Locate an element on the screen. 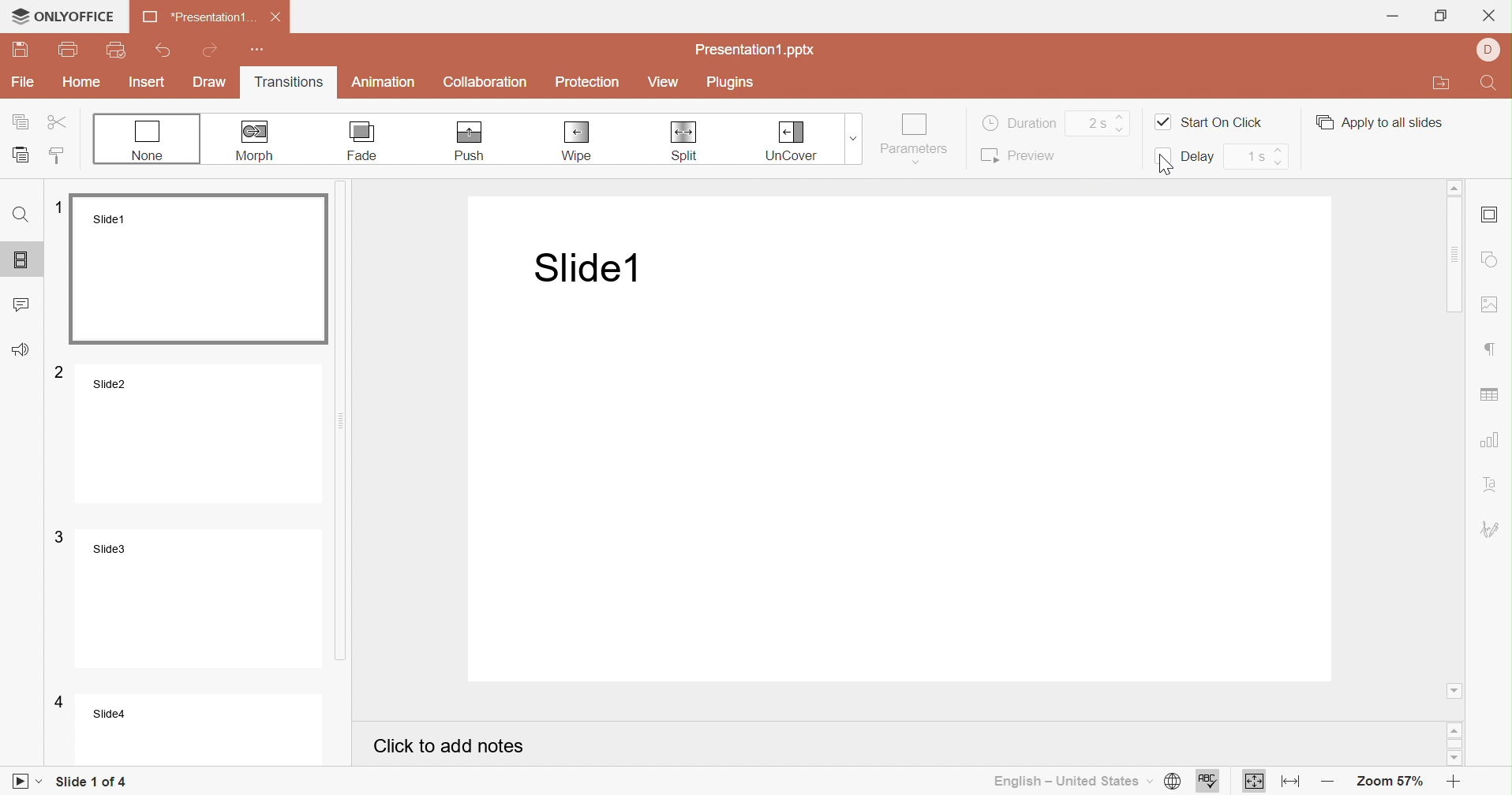  Open file location is located at coordinates (1441, 84).